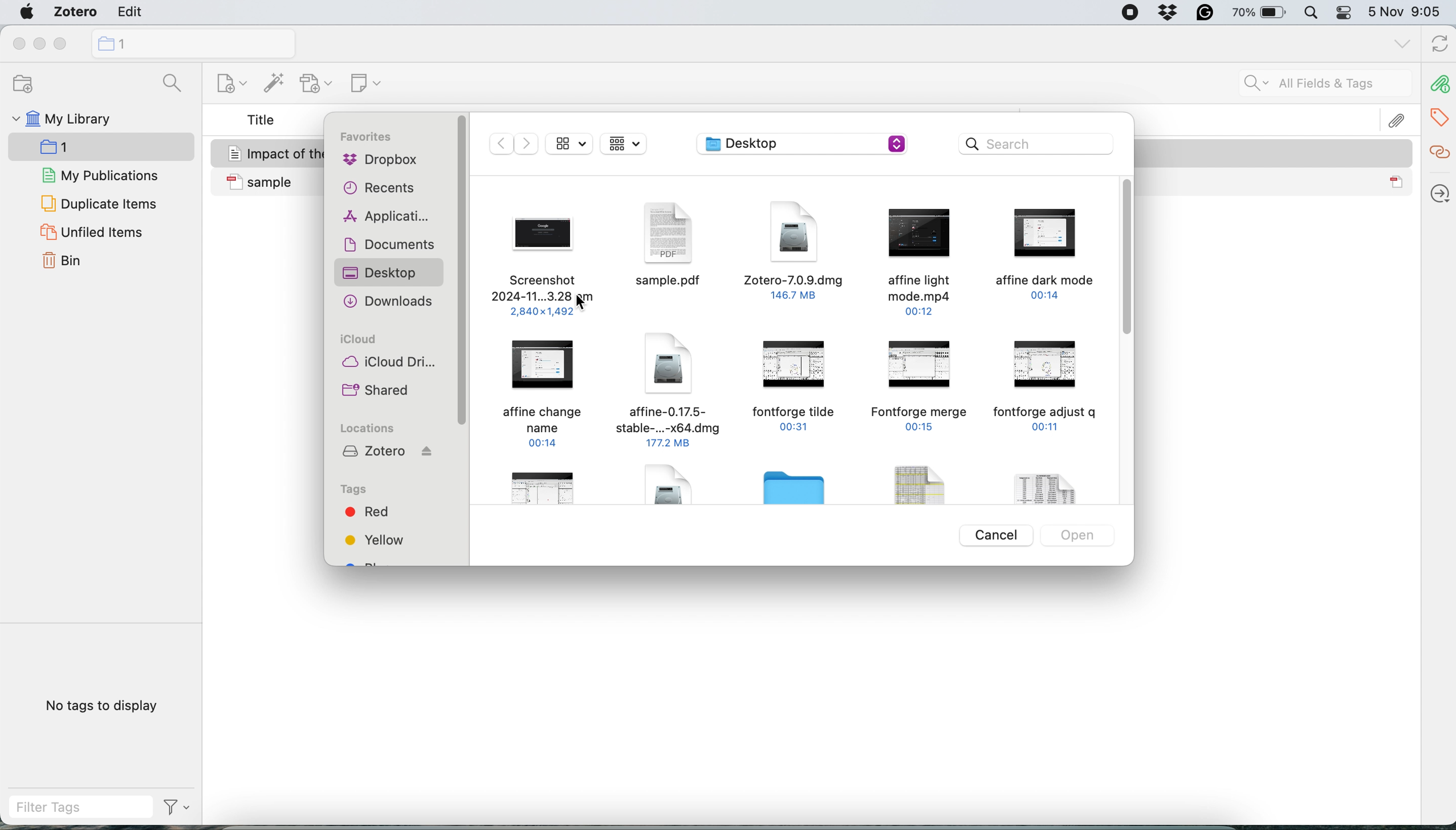 The width and height of the screenshot is (1456, 830). I want to click on screen recorder, so click(1121, 14).